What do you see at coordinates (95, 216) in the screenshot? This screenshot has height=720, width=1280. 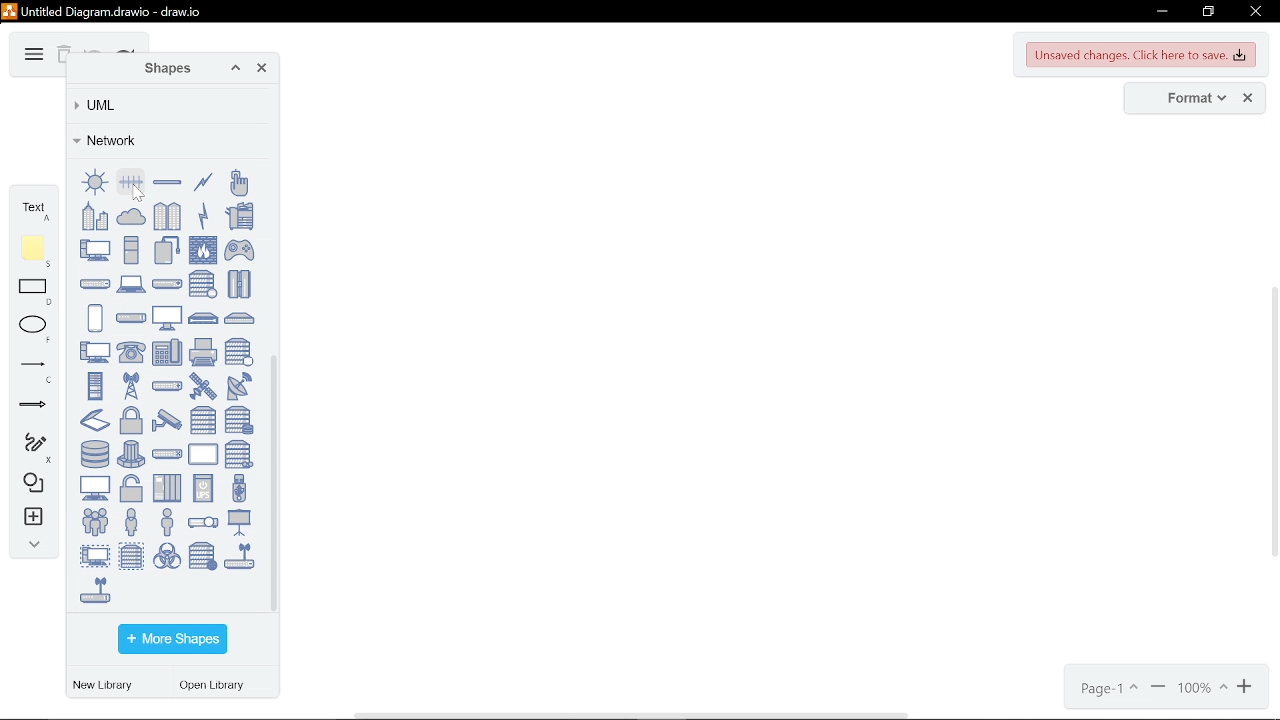 I see `business center` at bounding box center [95, 216].